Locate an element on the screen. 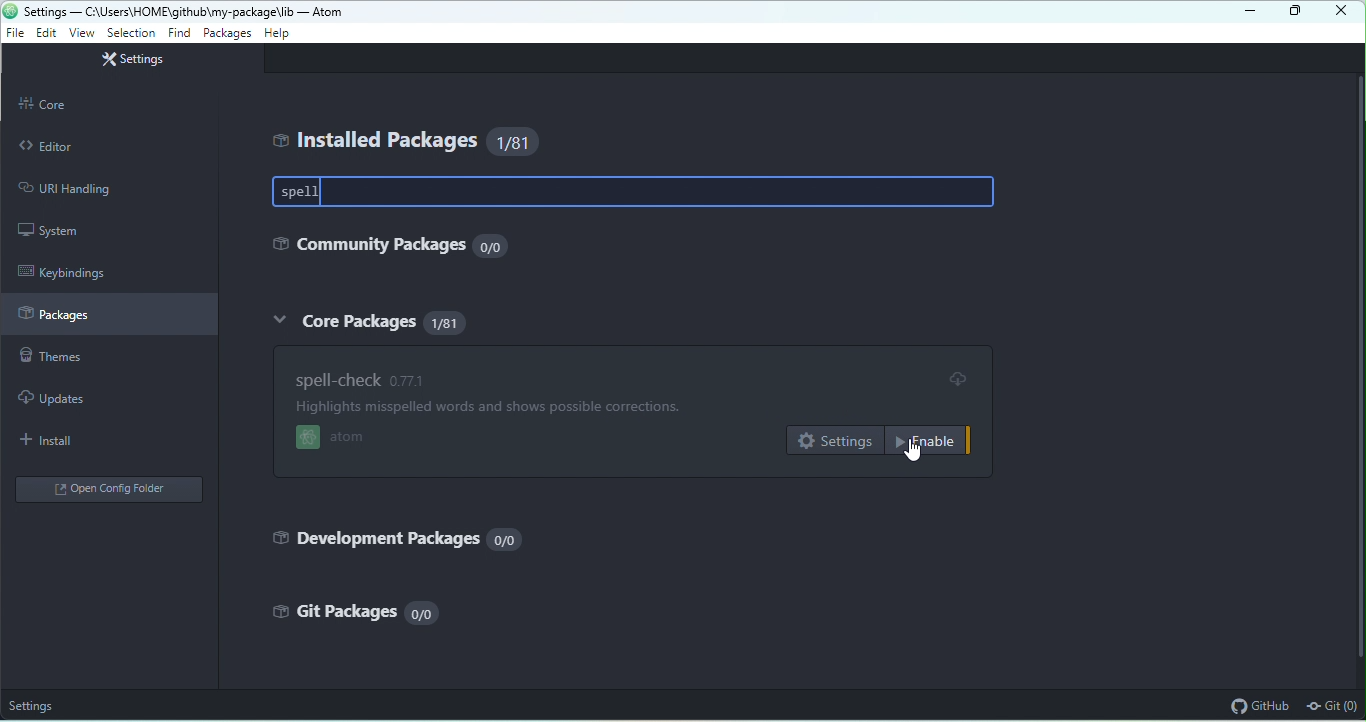 The width and height of the screenshot is (1366, 722). selection is located at coordinates (132, 33).